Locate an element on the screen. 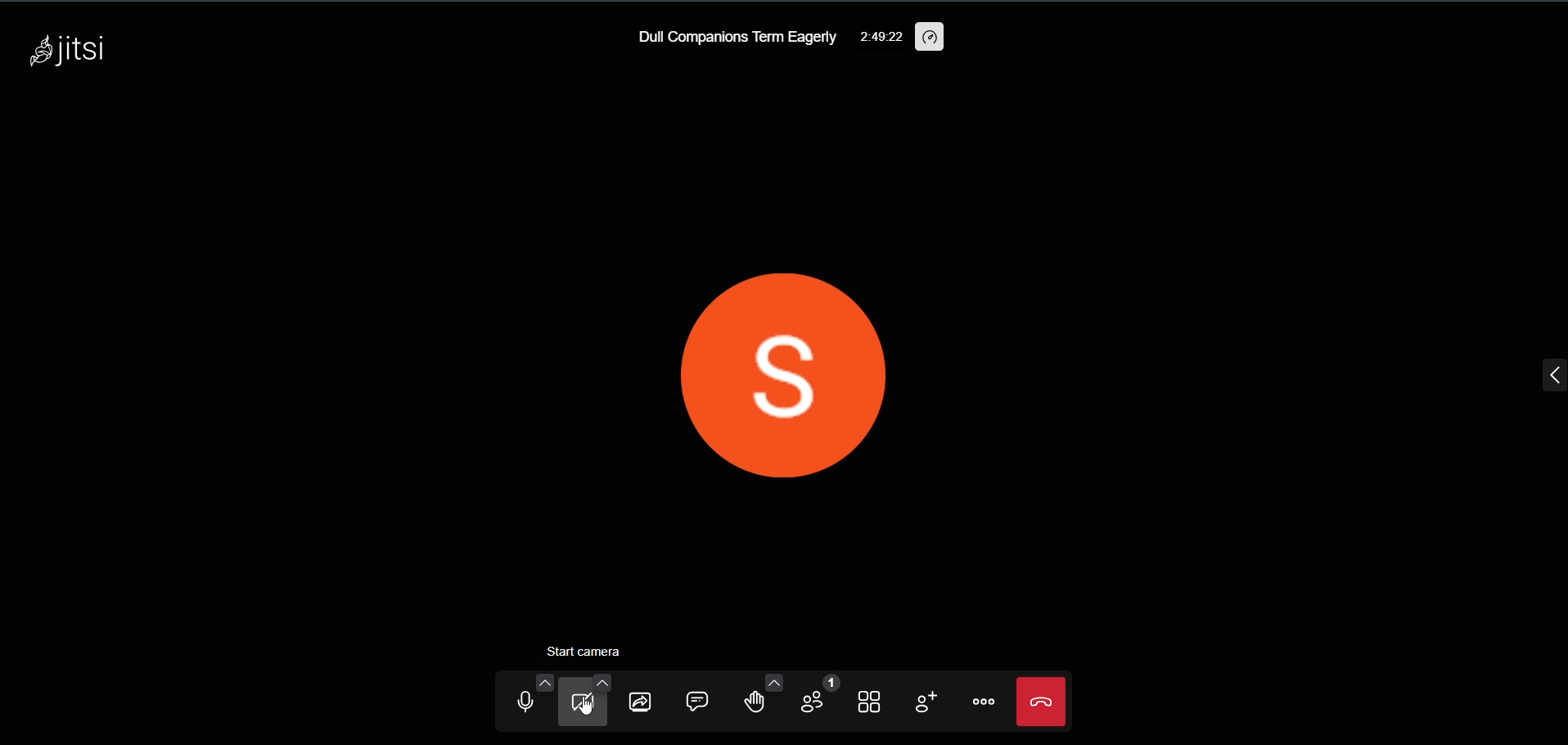  video off is located at coordinates (583, 707).